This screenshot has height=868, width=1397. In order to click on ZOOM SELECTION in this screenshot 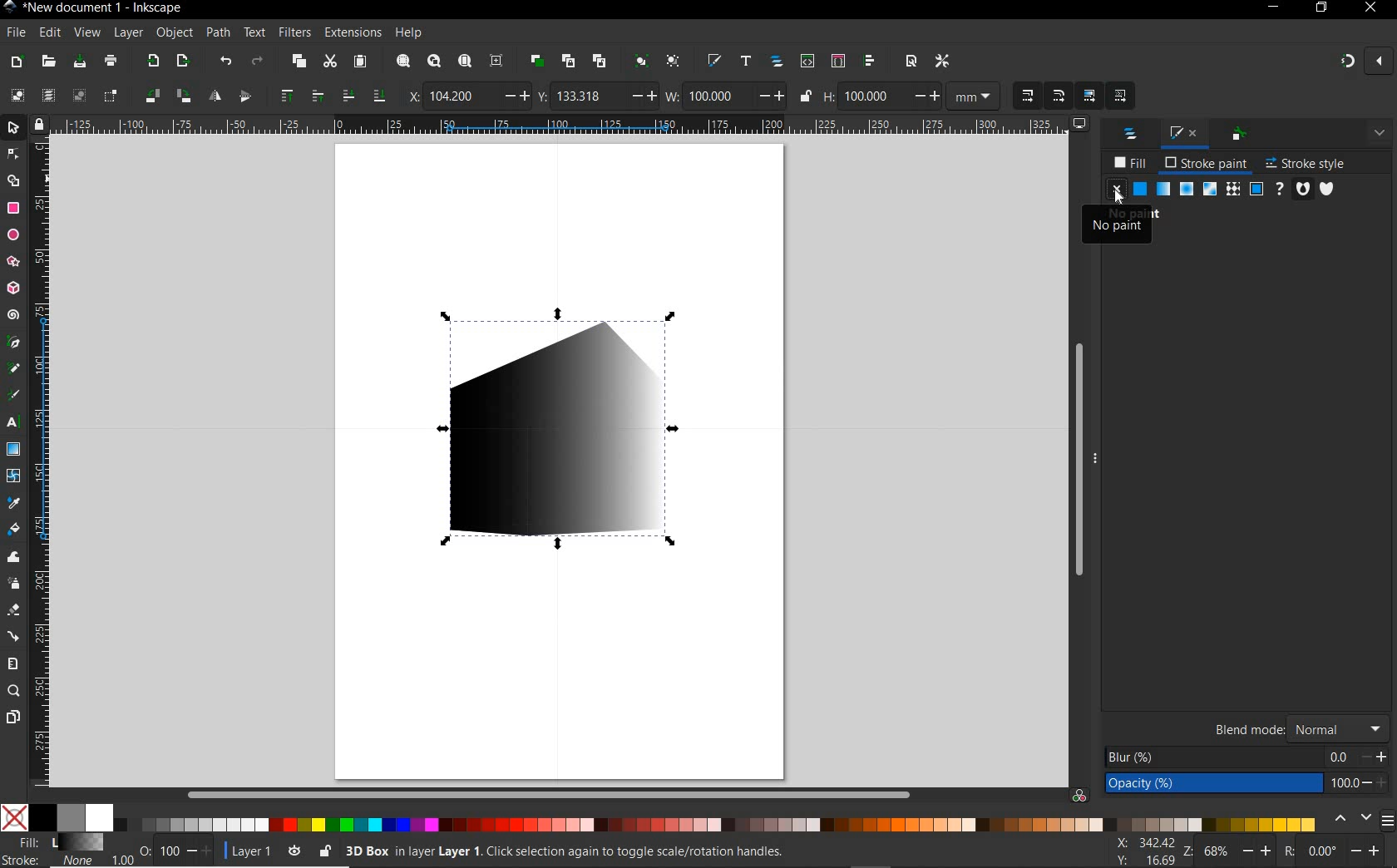, I will do `click(403, 61)`.